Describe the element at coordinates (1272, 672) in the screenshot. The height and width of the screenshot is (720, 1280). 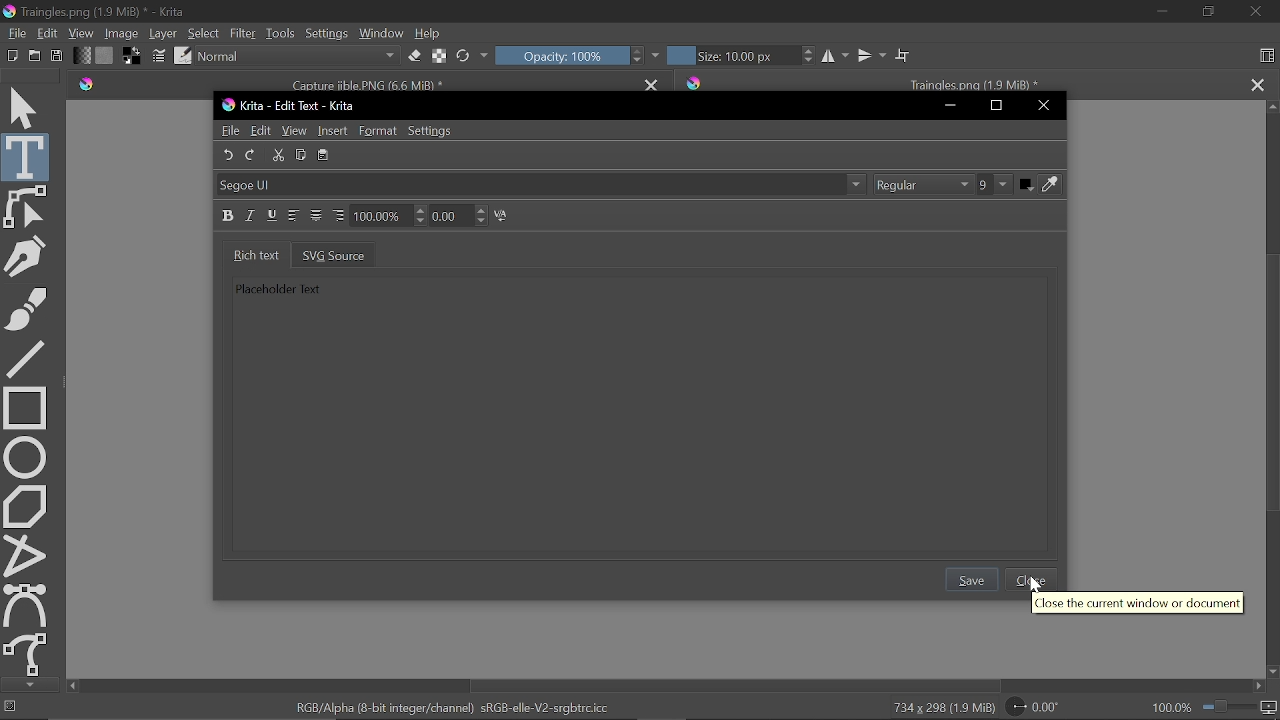
I see `Move down` at that location.